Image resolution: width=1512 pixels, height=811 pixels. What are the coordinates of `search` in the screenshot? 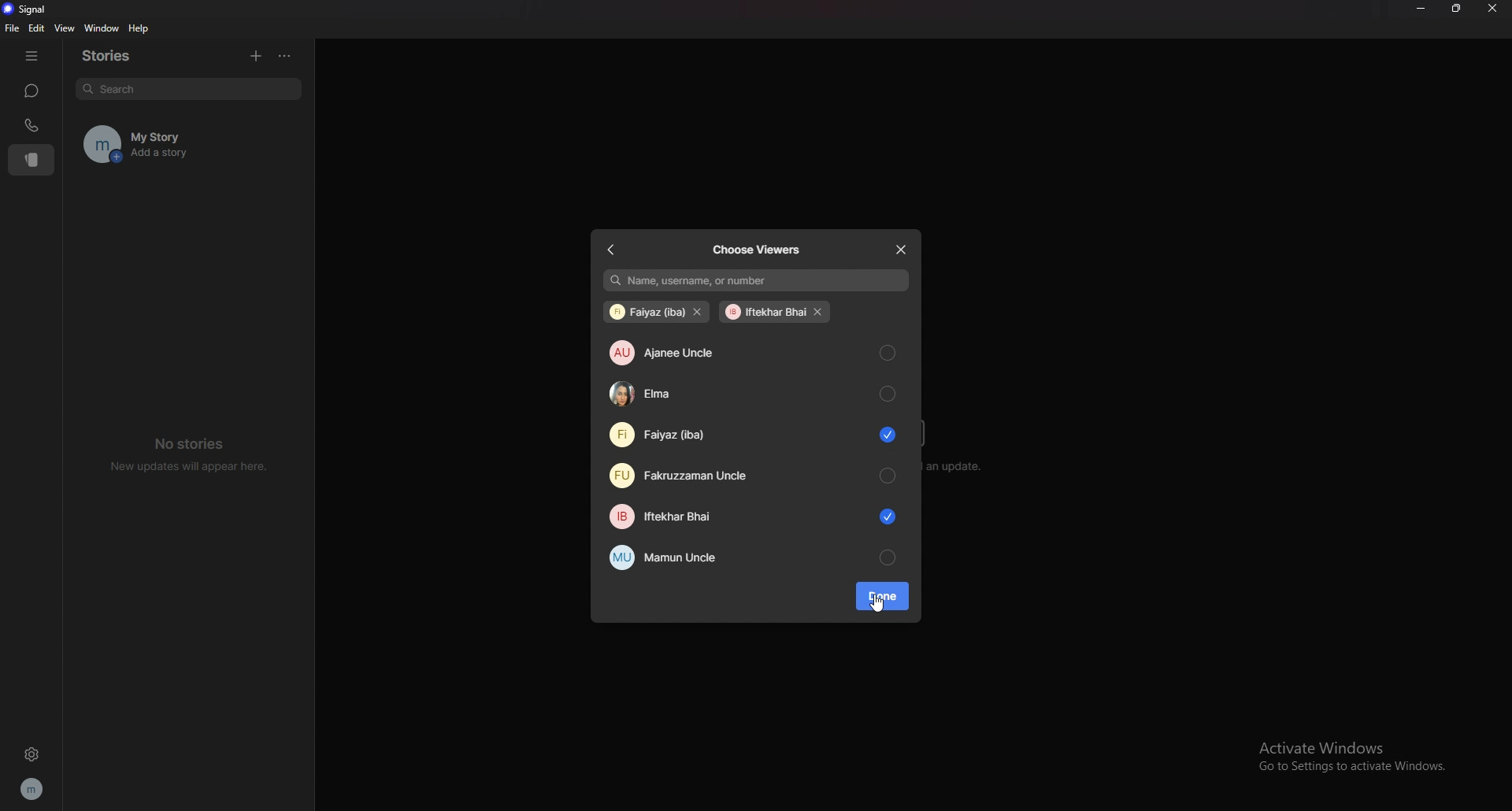 It's located at (188, 87).